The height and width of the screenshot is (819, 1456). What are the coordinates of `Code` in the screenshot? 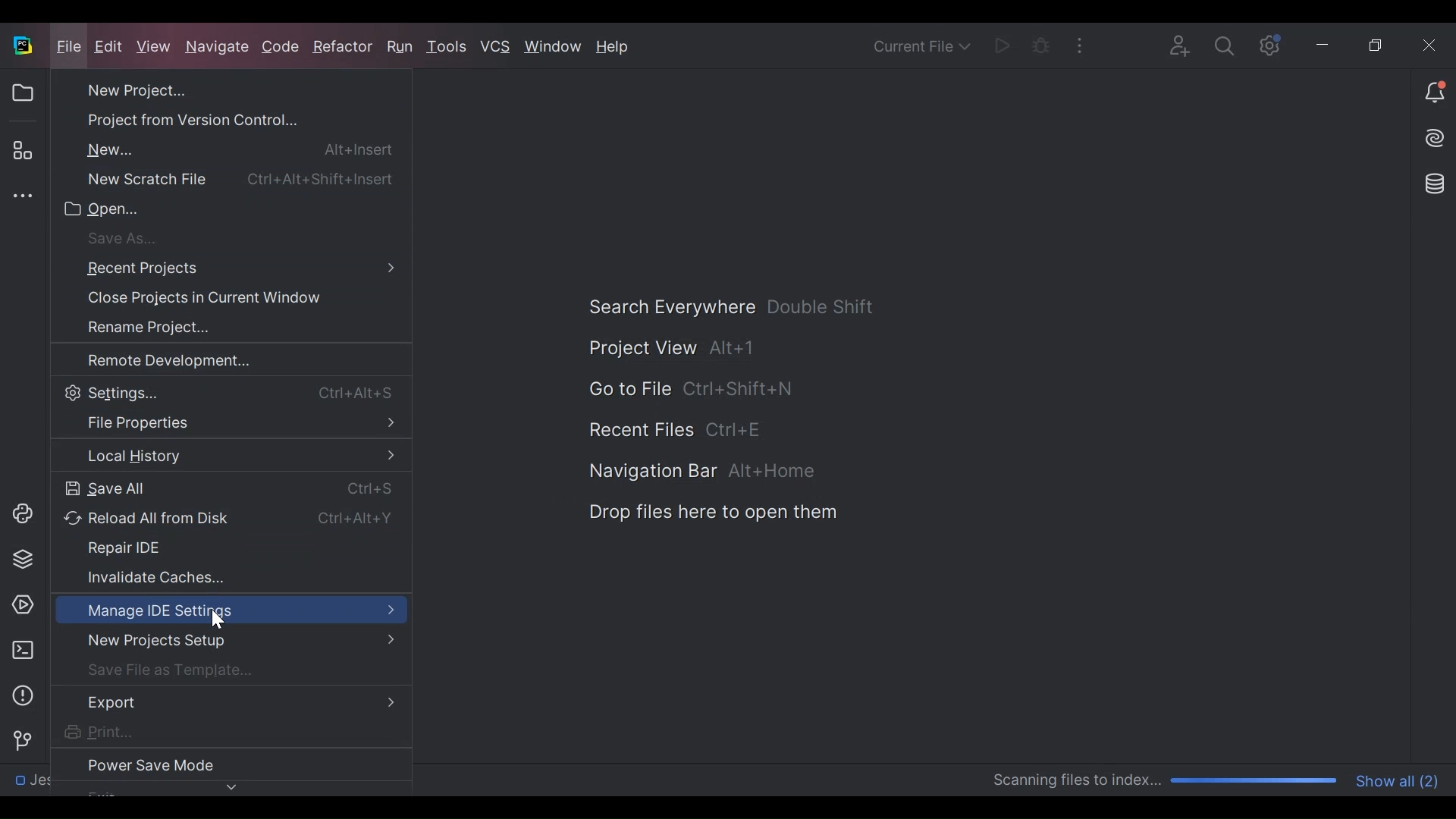 It's located at (282, 49).